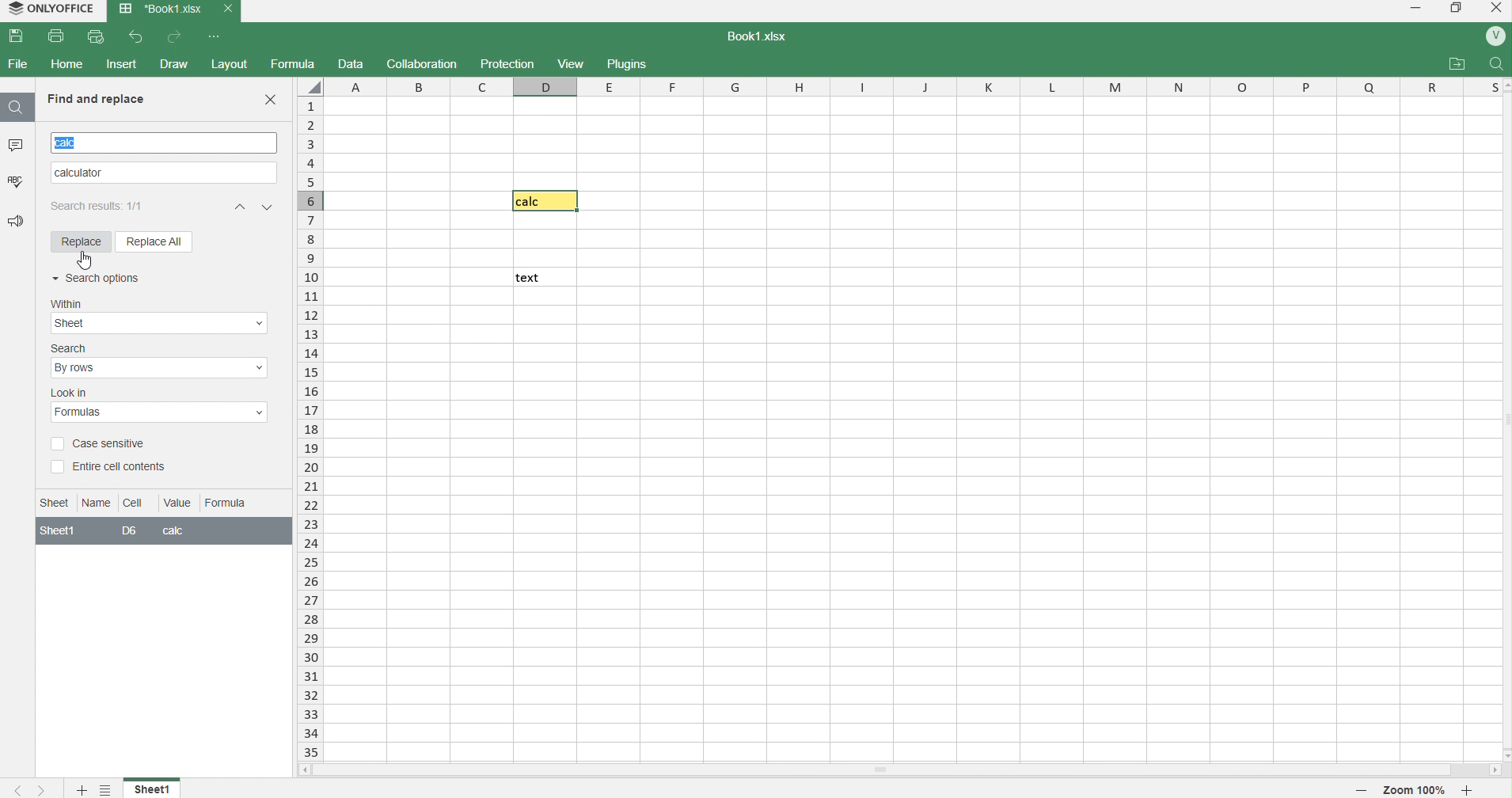 The height and width of the screenshot is (798, 1512). Describe the element at coordinates (237, 207) in the screenshot. I see `next match` at that location.